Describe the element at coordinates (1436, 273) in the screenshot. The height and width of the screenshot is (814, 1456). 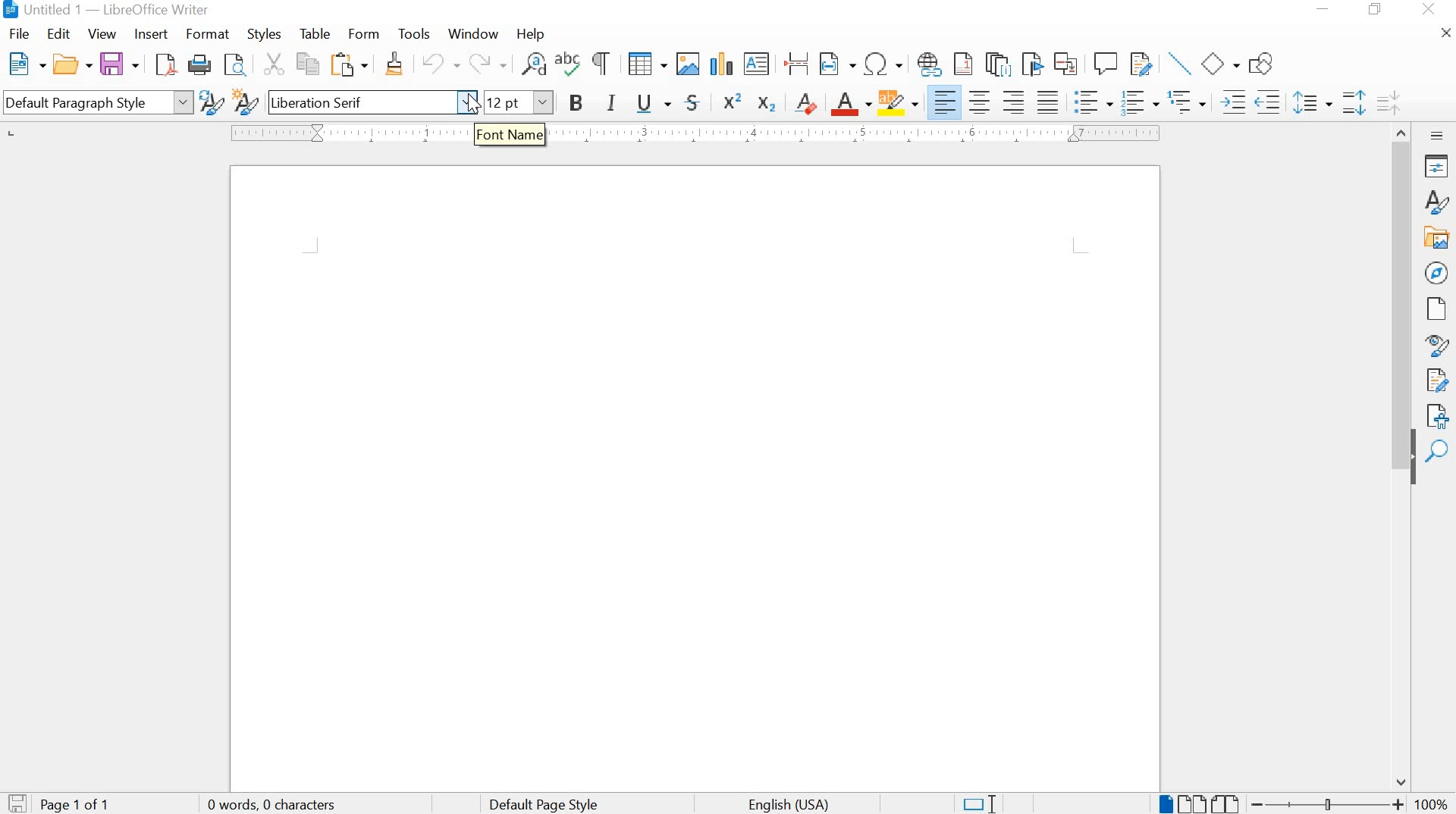
I see `NAVIGATOR` at that location.